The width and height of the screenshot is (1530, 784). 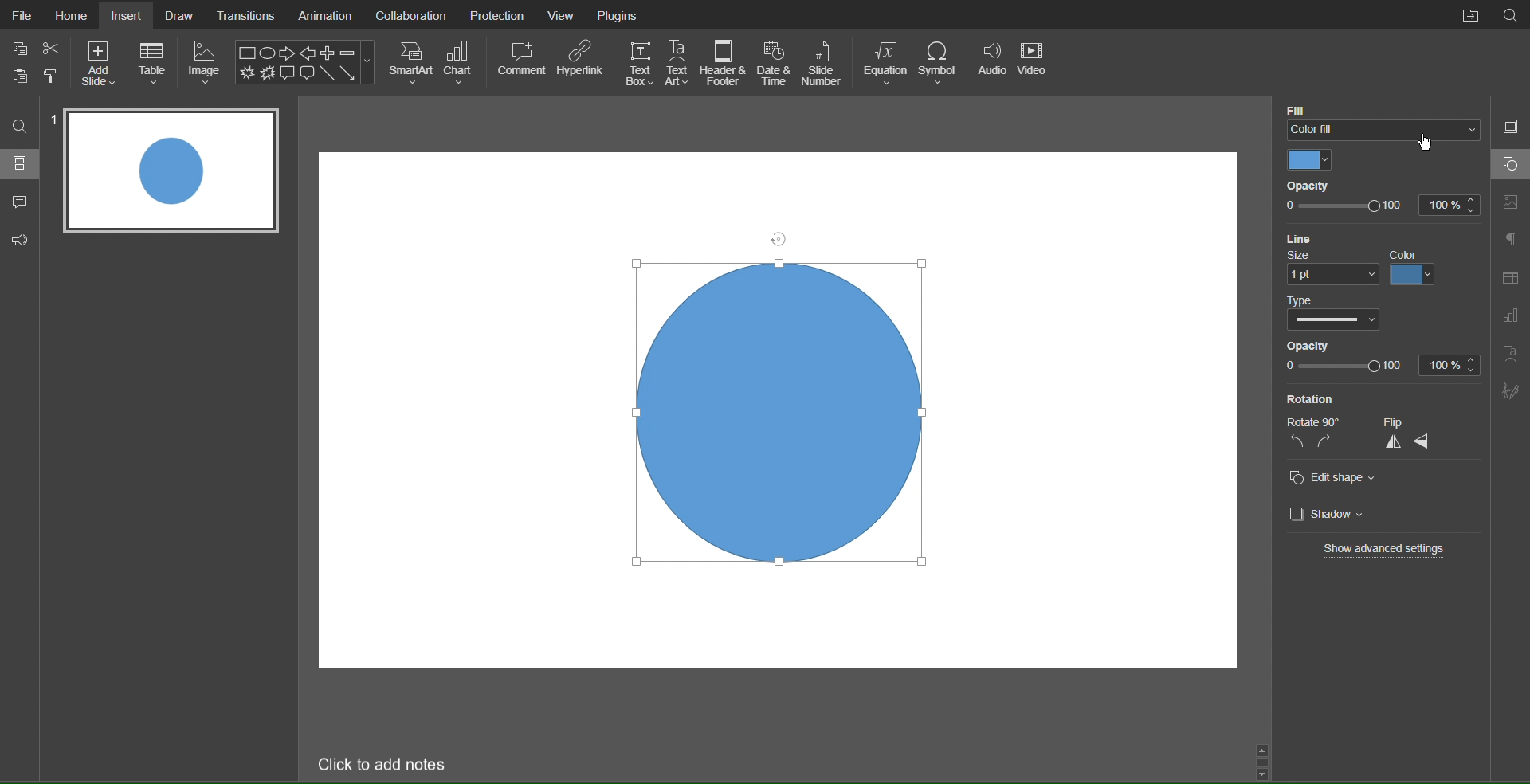 What do you see at coordinates (1413, 276) in the screenshot?
I see `colors` at bounding box center [1413, 276].